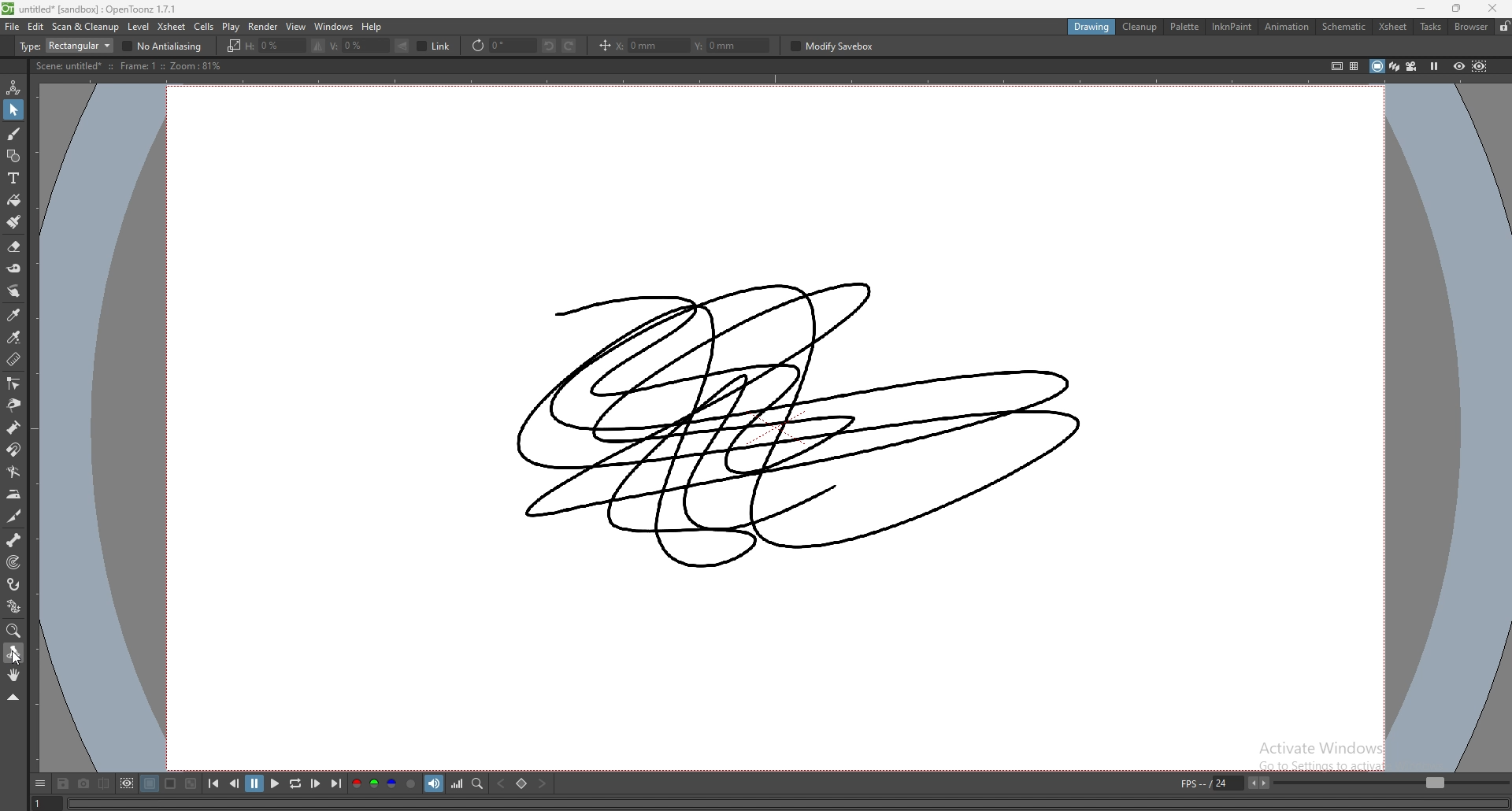 The height and width of the screenshot is (811, 1512). I want to click on xsheet, so click(172, 26).